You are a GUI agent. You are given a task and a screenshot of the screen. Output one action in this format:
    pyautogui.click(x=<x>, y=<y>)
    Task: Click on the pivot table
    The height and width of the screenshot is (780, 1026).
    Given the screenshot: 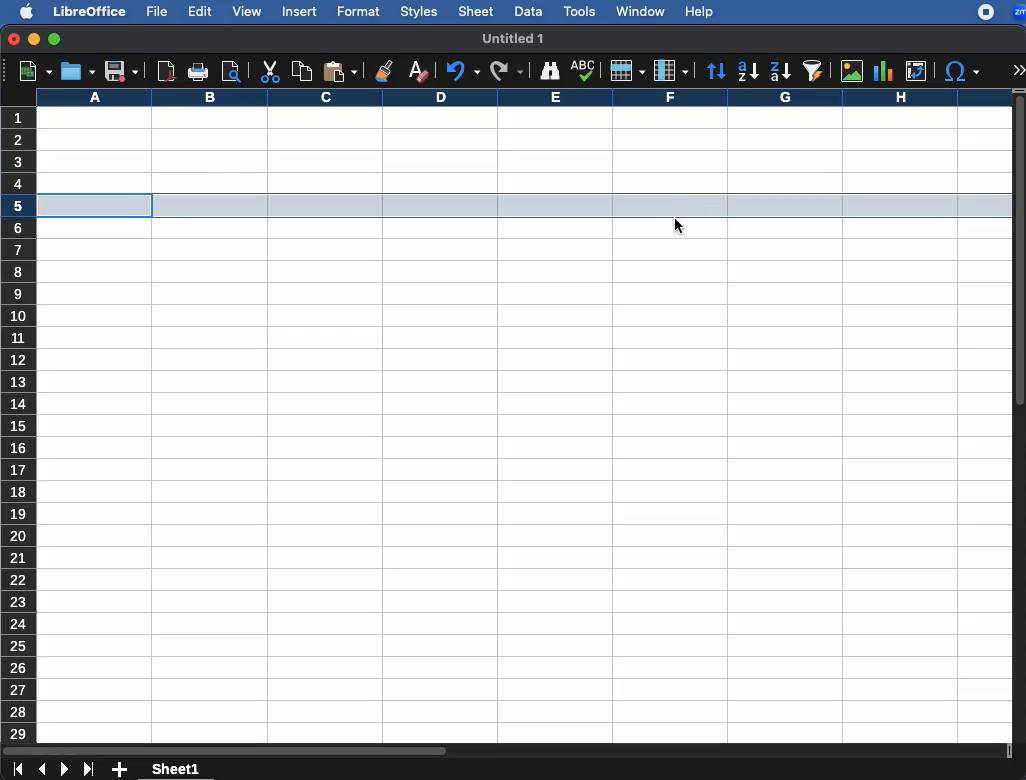 What is the action you would take?
    pyautogui.click(x=914, y=70)
    